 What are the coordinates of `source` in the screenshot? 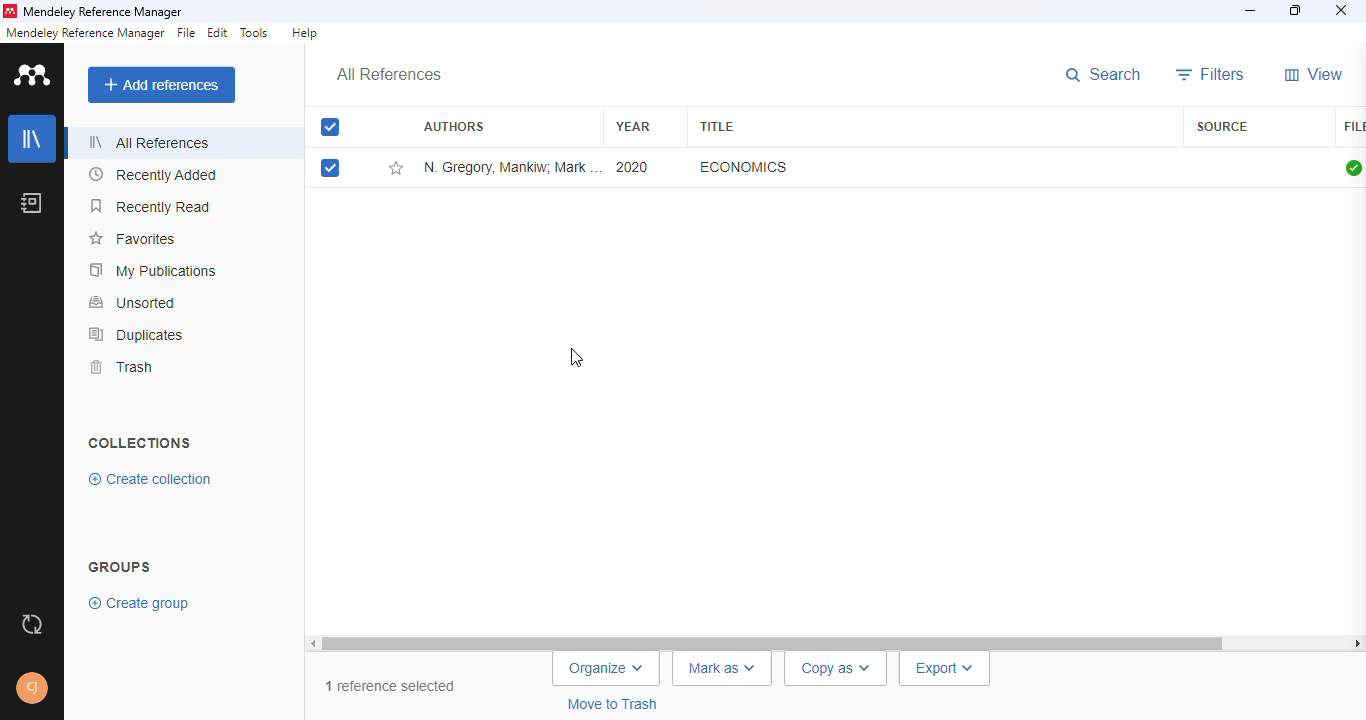 It's located at (1223, 127).